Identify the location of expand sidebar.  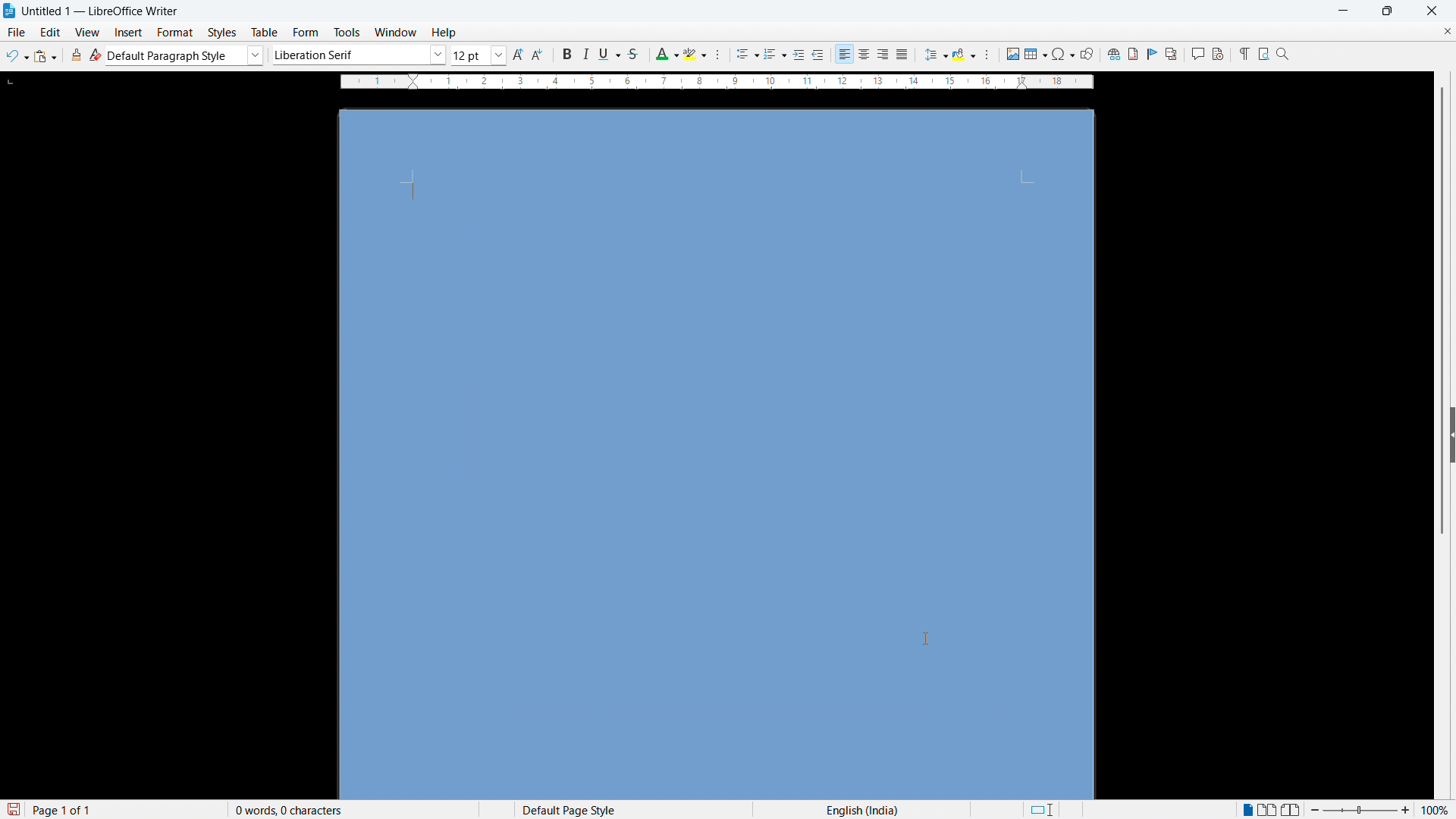
(1451, 431).